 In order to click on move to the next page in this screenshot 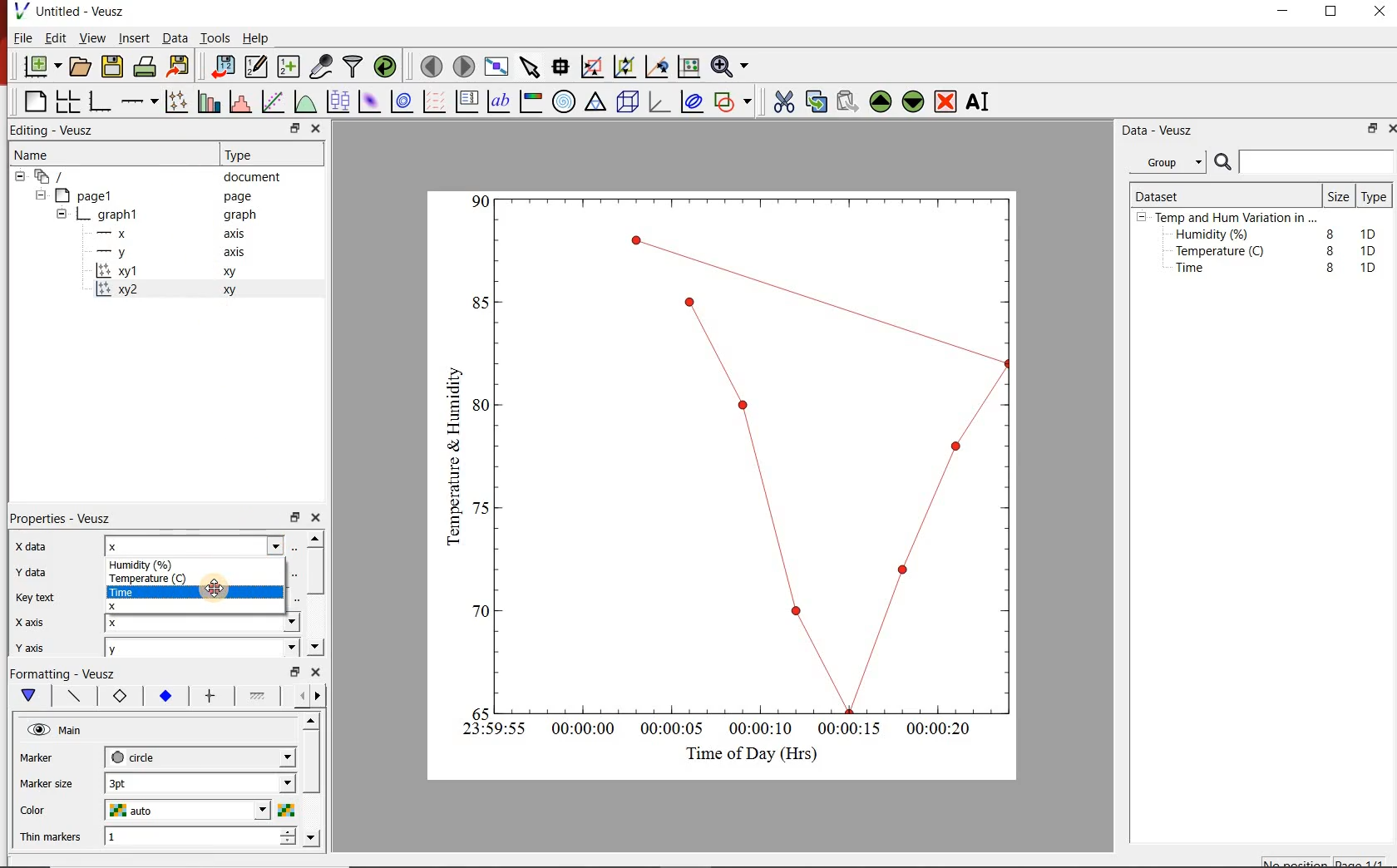, I will do `click(463, 66)`.